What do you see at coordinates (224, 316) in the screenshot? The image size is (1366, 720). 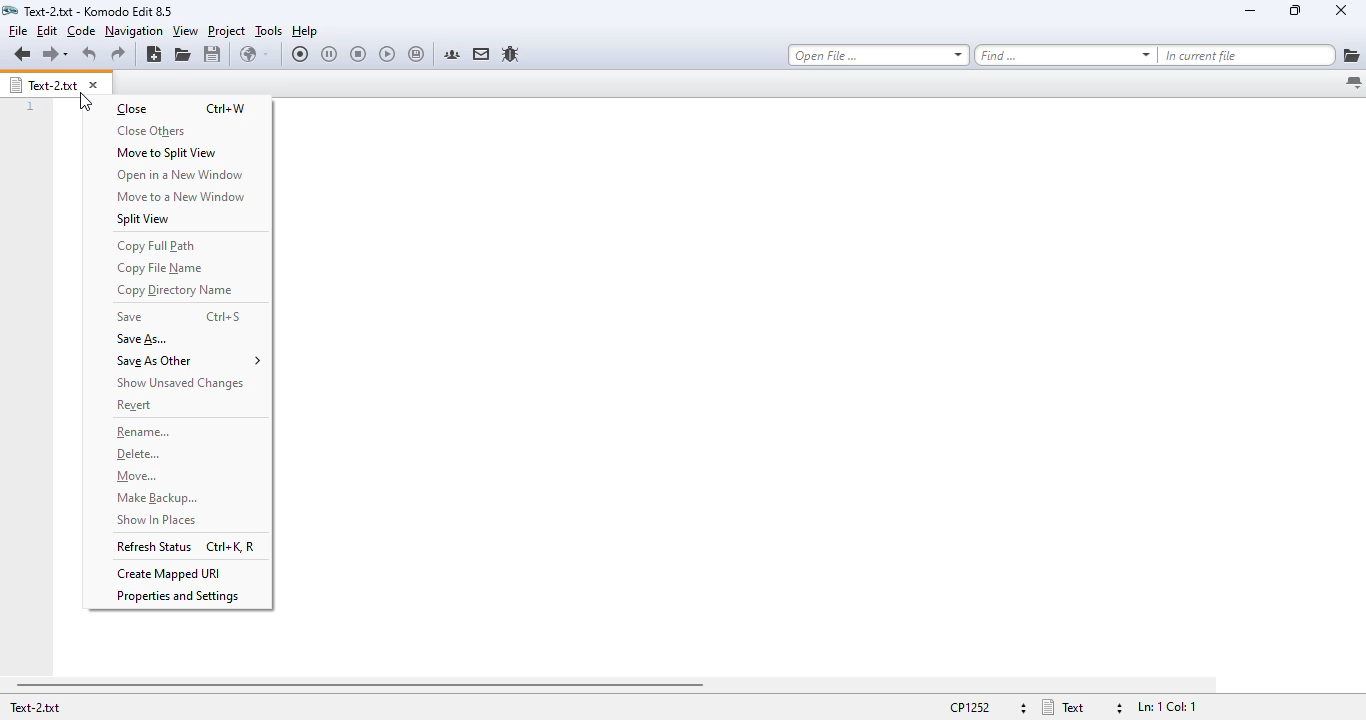 I see `shortcut for save` at bounding box center [224, 316].